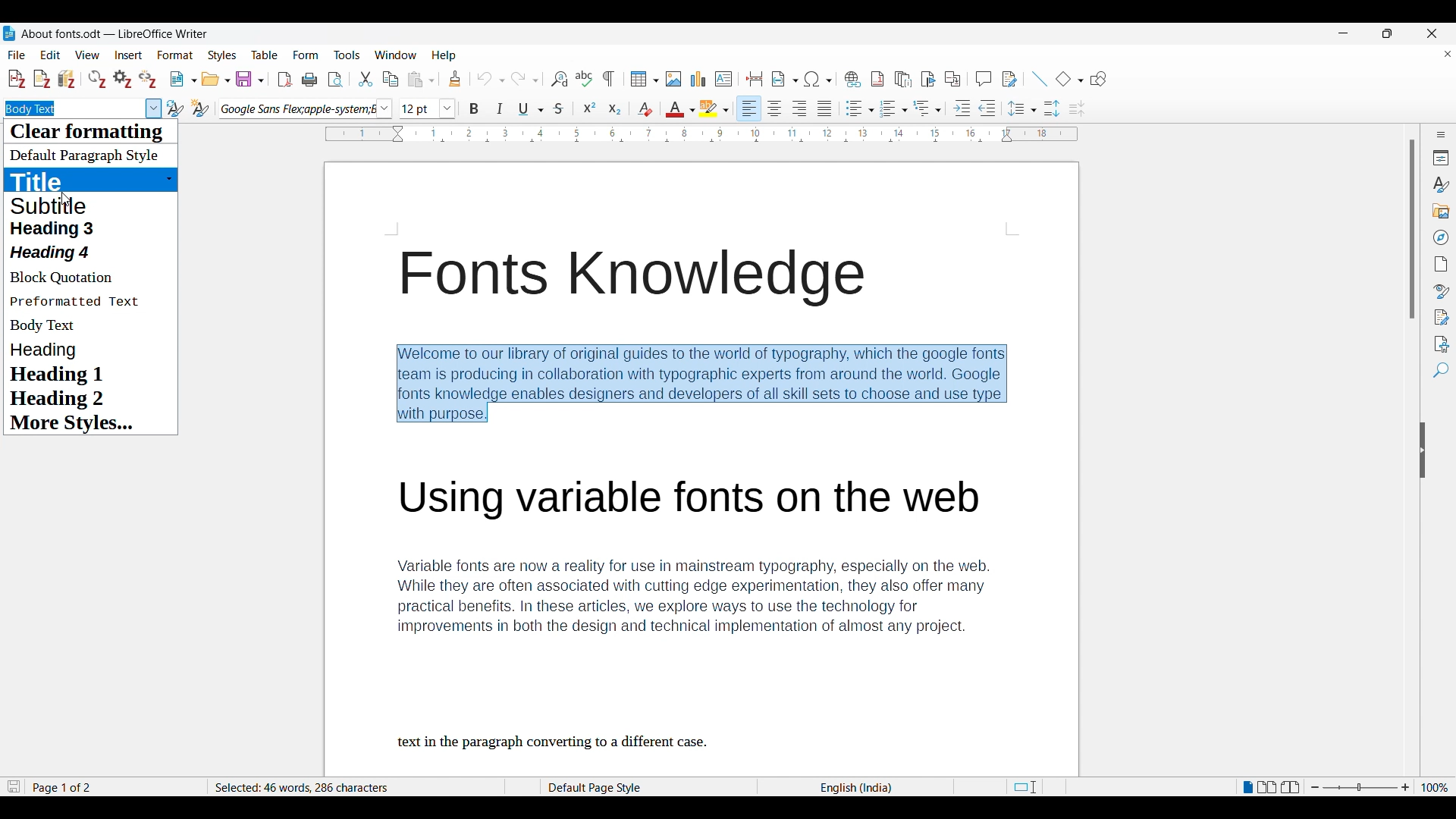 The height and width of the screenshot is (819, 1456). I want to click on more styles, so click(69, 424).